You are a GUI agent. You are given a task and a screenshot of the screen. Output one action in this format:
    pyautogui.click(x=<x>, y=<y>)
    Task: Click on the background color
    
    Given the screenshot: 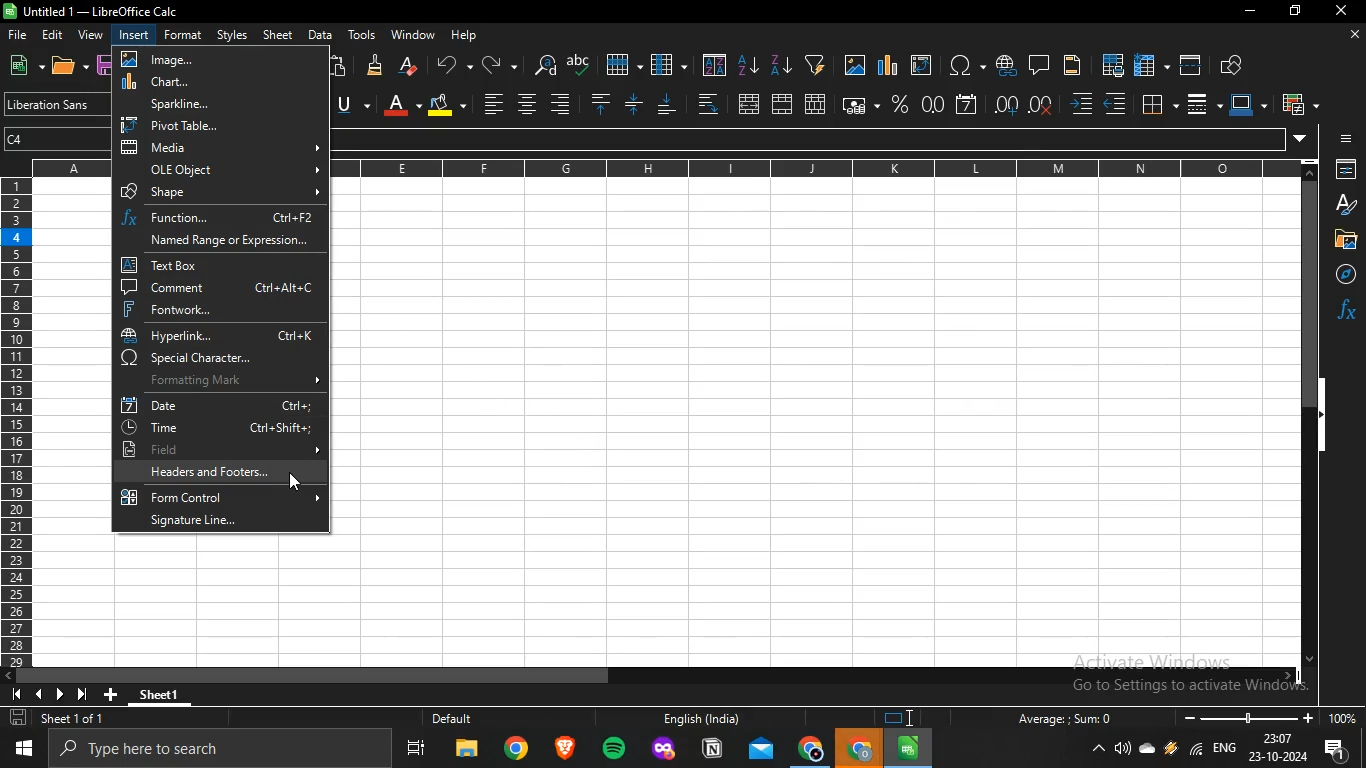 What is the action you would take?
    pyautogui.click(x=446, y=104)
    